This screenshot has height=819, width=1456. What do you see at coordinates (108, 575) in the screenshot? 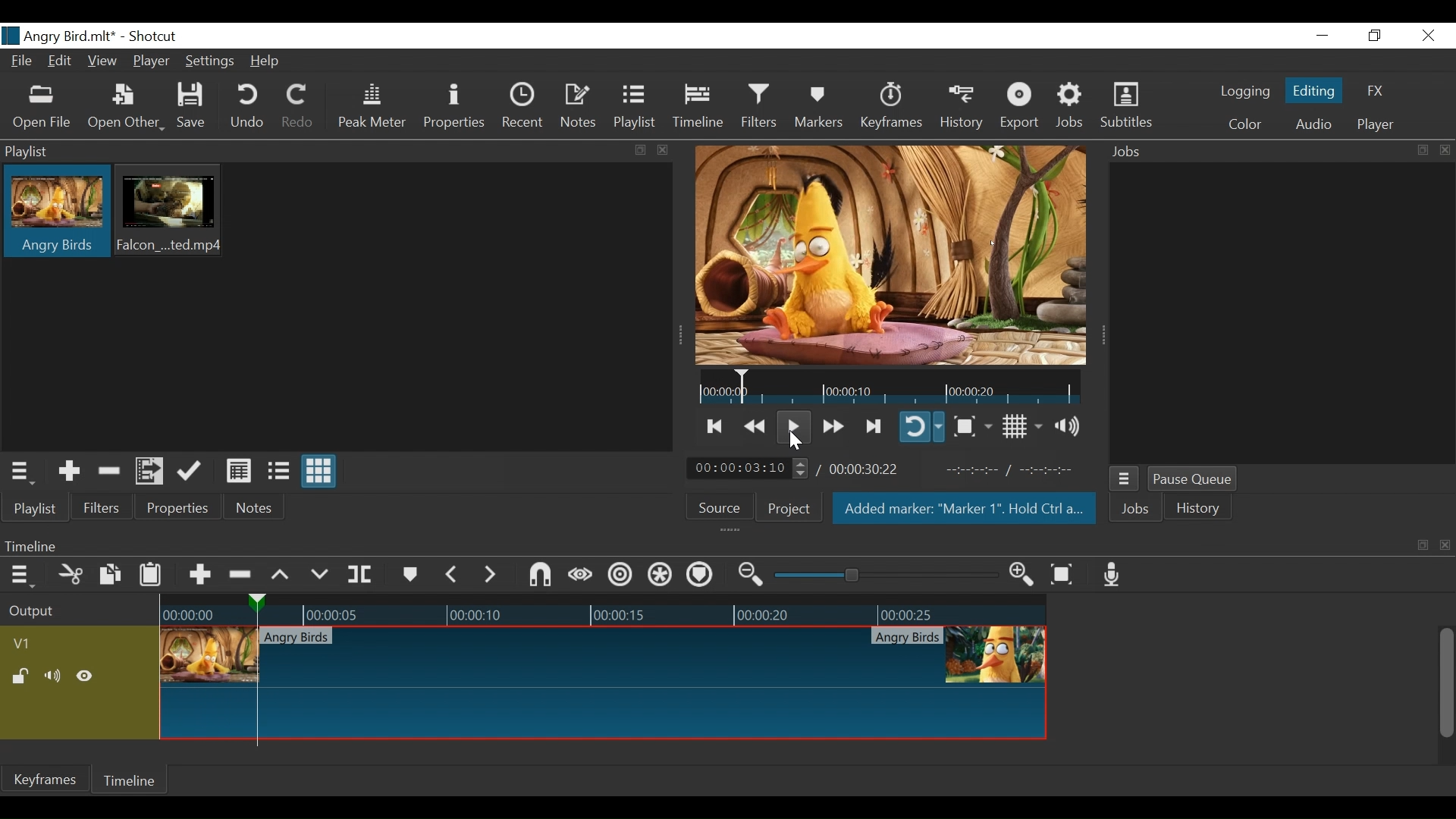
I see `Copy` at bounding box center [108, 575].